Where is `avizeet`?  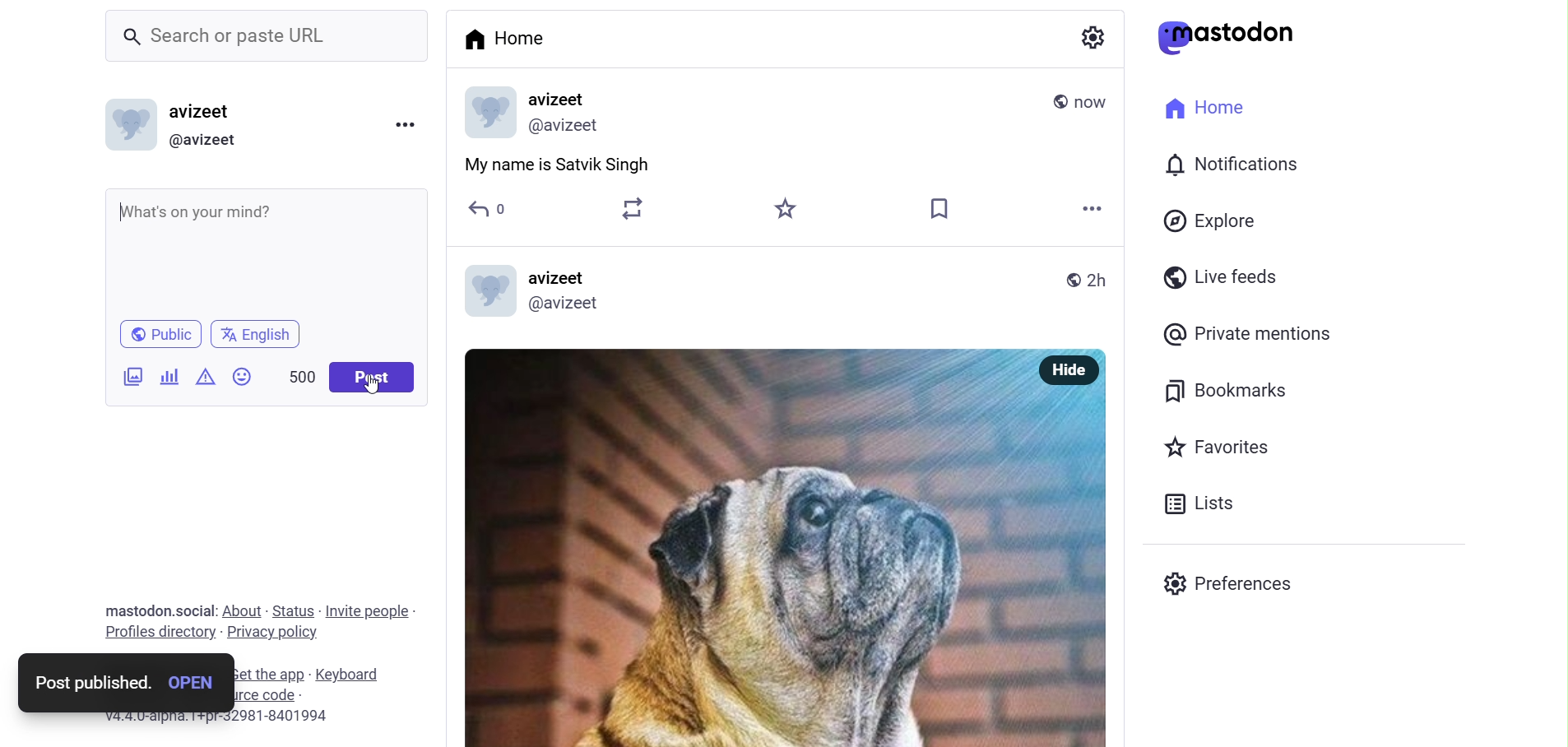
avizeet is located at coordinates (560, 278).